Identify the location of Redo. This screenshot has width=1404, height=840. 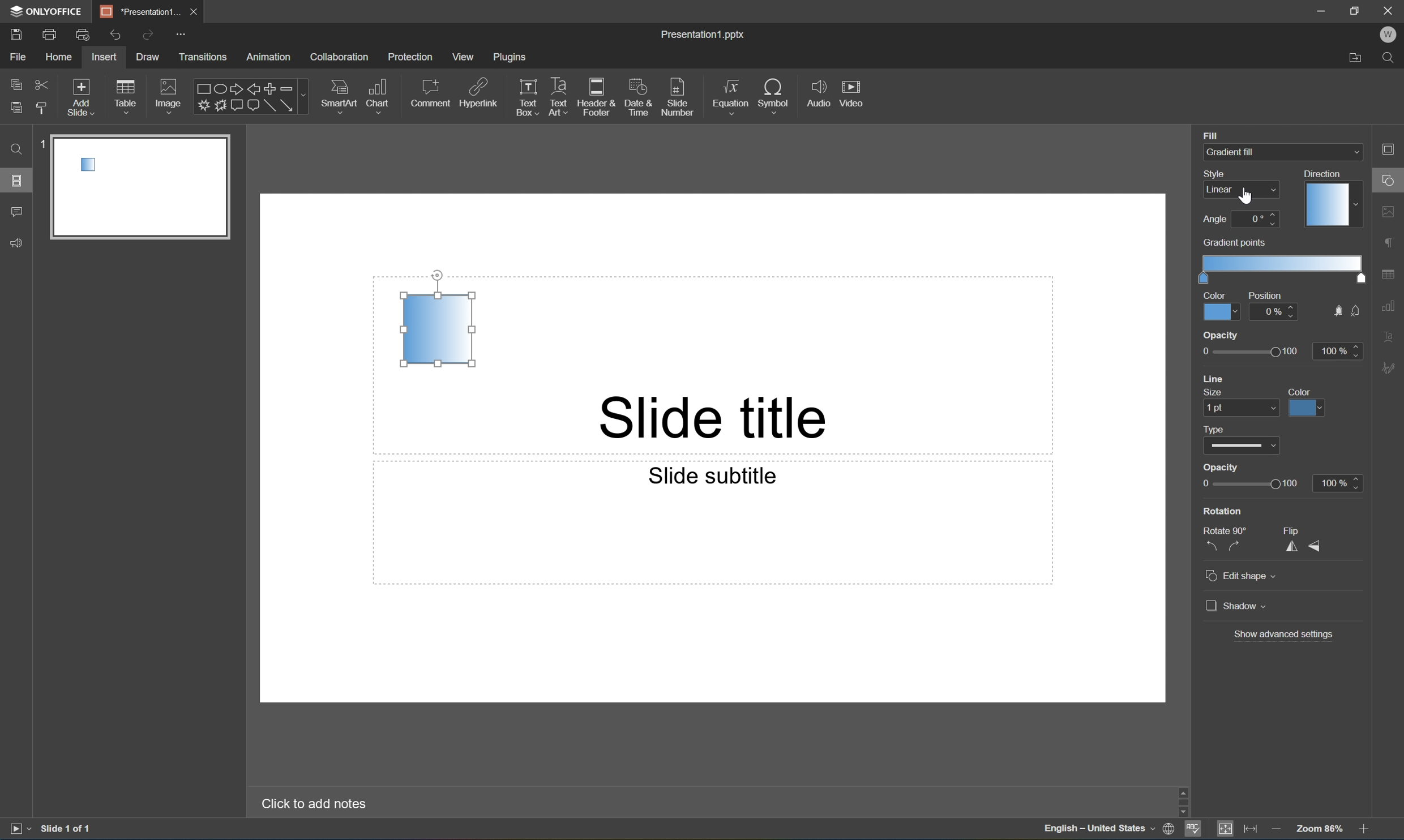
(147, 36).